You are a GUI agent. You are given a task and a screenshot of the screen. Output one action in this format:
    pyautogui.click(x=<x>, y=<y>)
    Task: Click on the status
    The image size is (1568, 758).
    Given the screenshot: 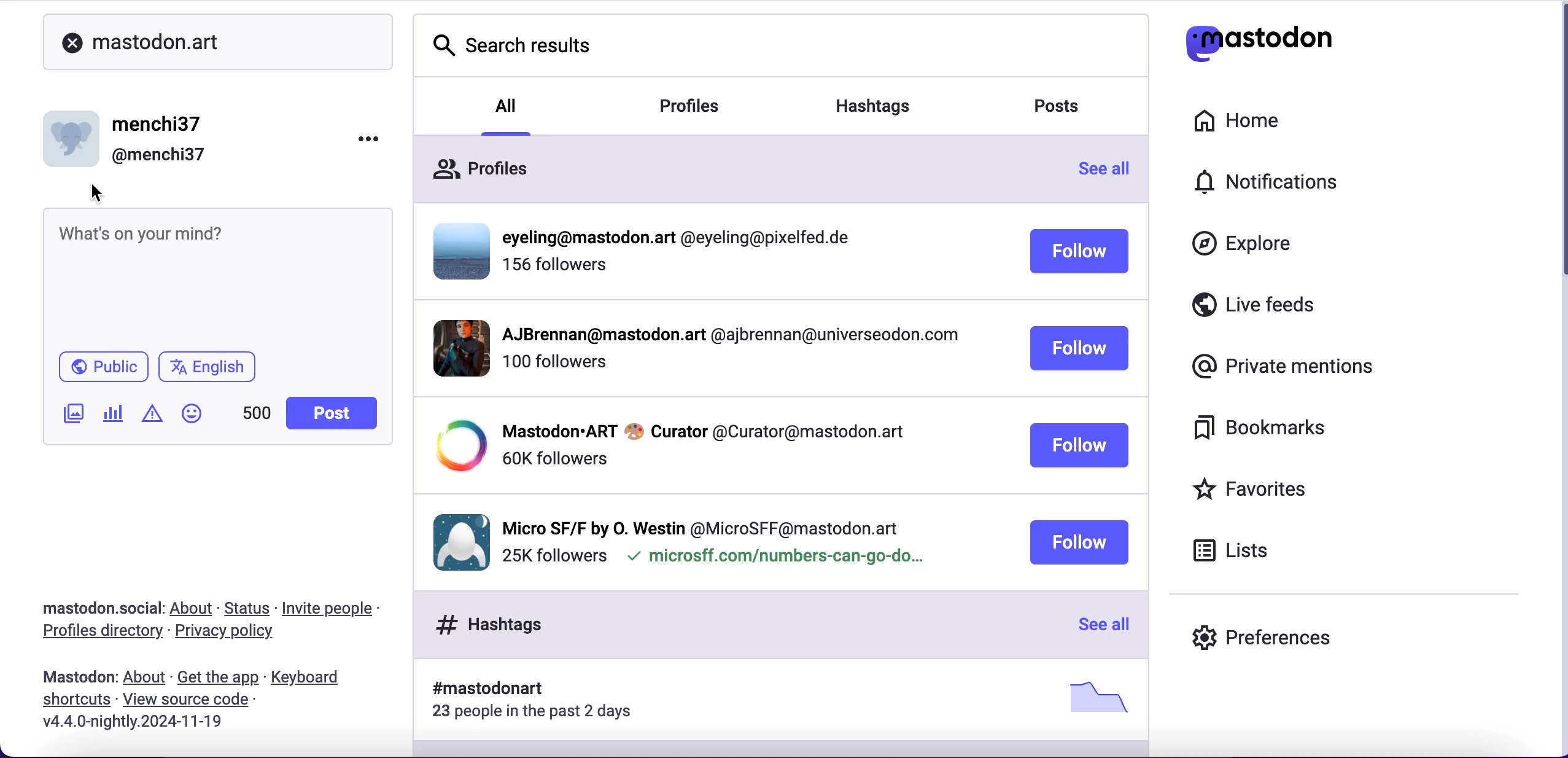 What is the action you would take?
    pyautogui.click(x=247, y=609)
    